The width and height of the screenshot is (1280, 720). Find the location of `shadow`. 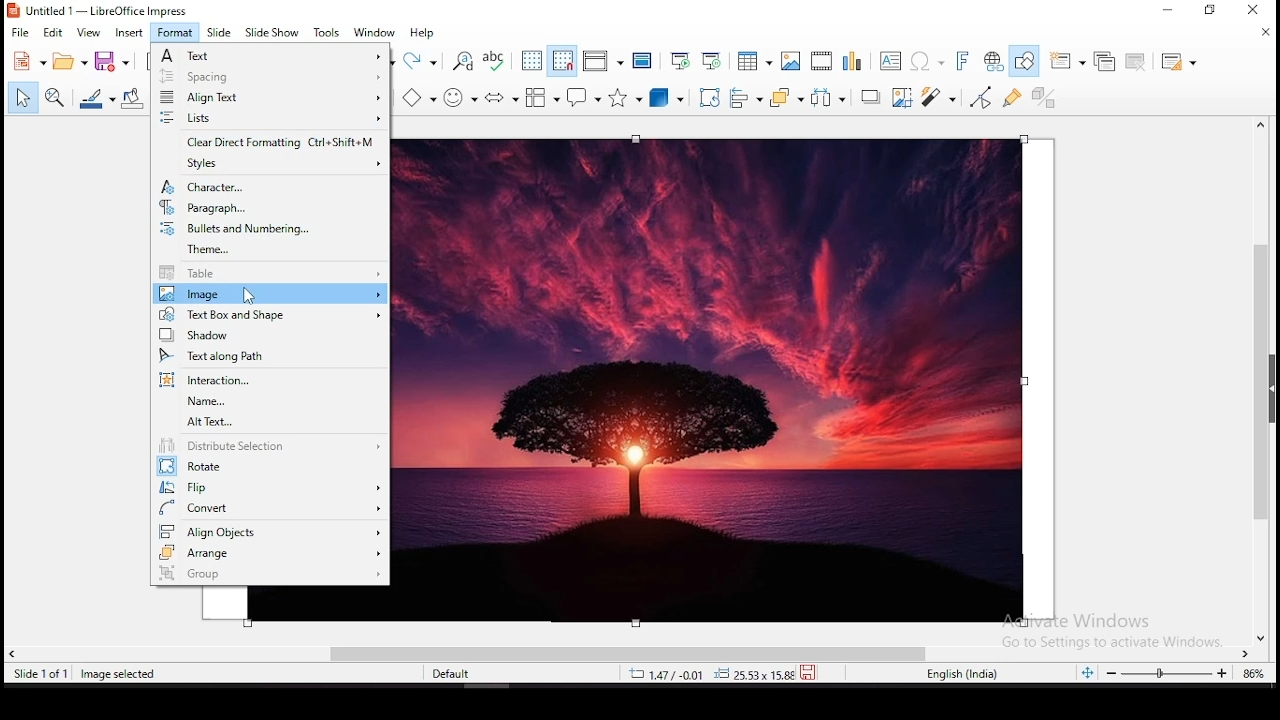

shadow is located at coordinates (267, 335).